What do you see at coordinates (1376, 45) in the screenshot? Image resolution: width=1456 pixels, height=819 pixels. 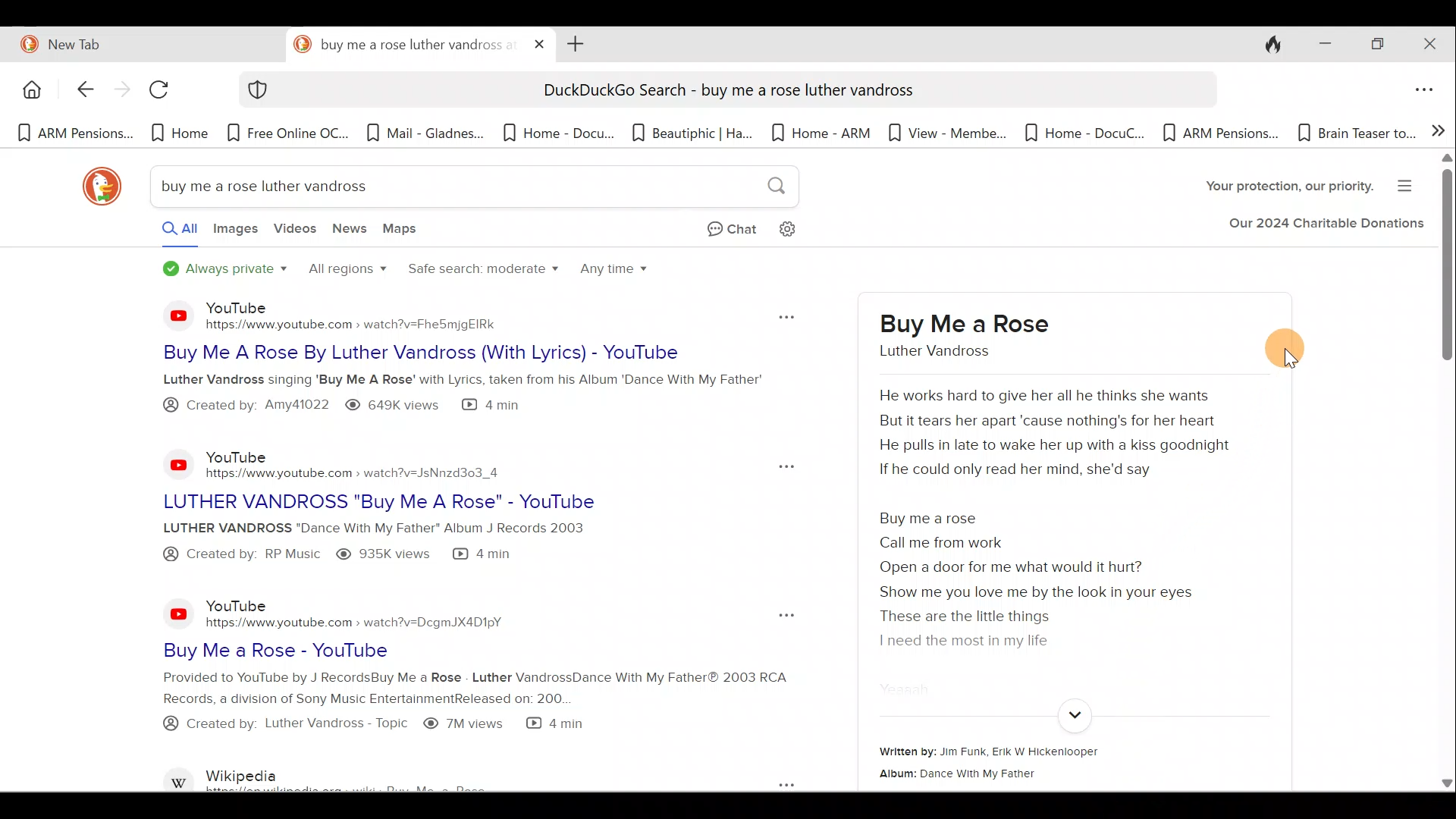 I see `Restore down` at bounding box center [1376, 45].